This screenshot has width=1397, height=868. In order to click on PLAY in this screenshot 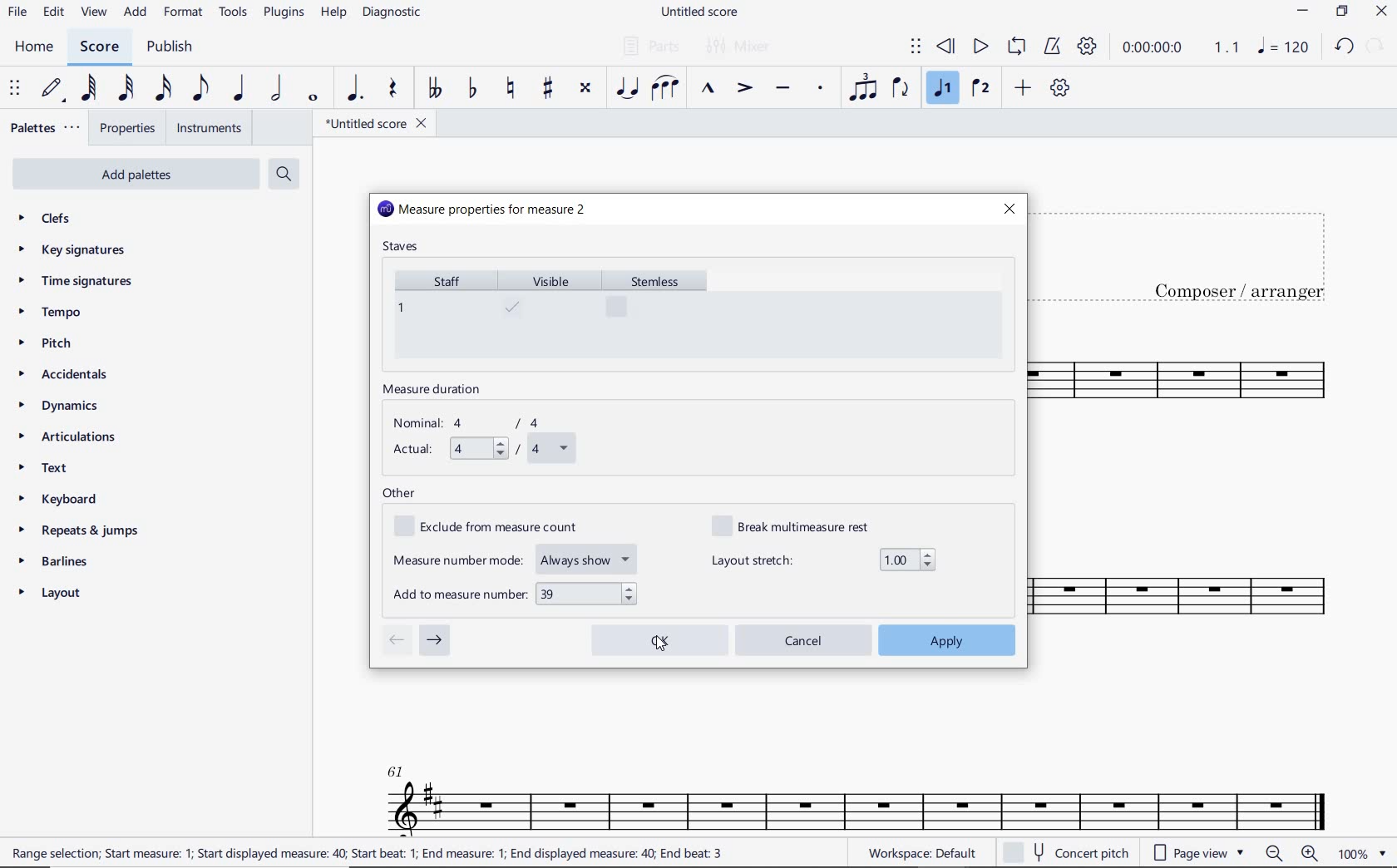, I will do `click(979, 47)`.